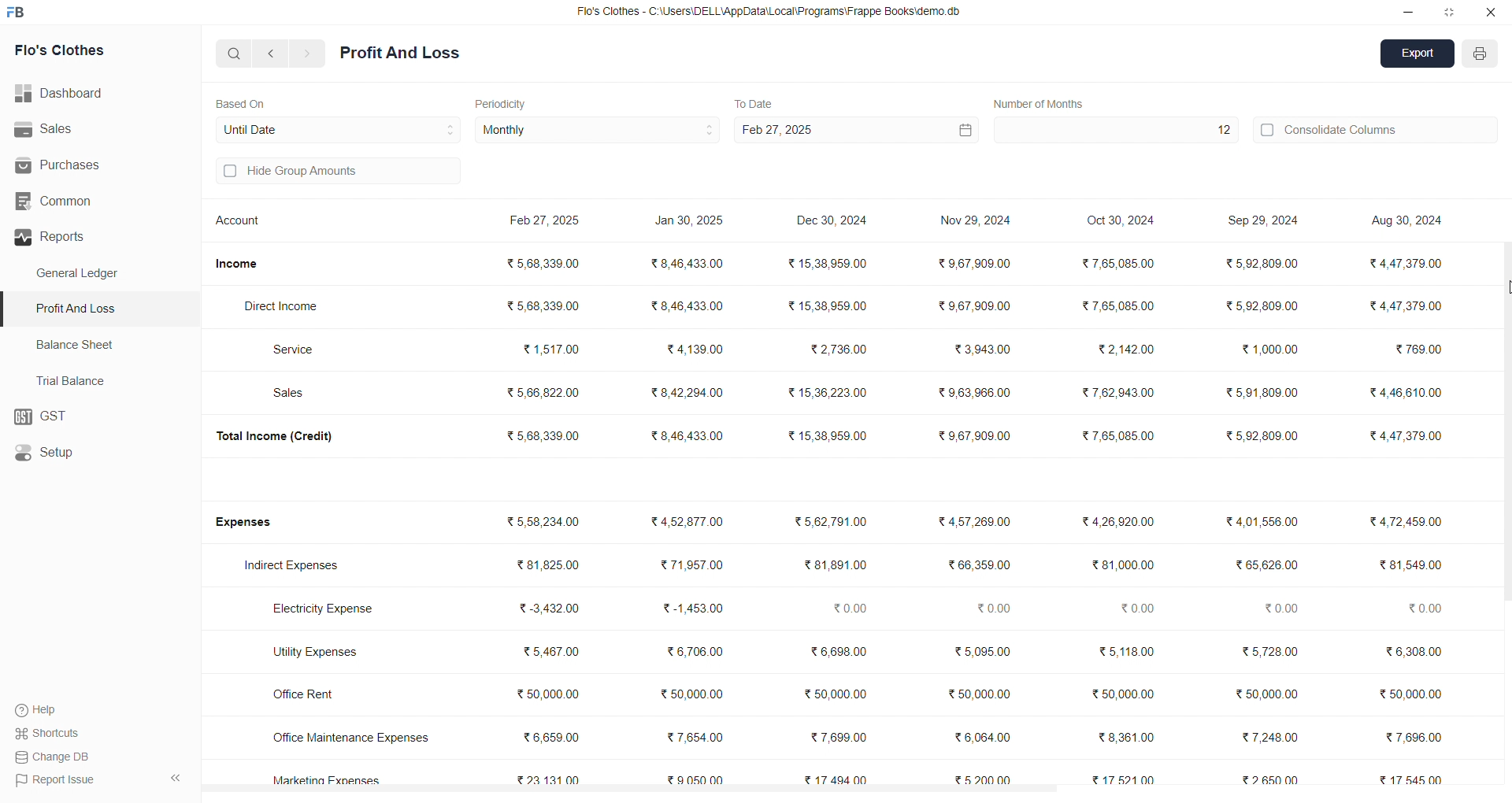 The height and width of the screenshot is (803, 1512). I want to click on ₹5,095.00, so click(988, 652).